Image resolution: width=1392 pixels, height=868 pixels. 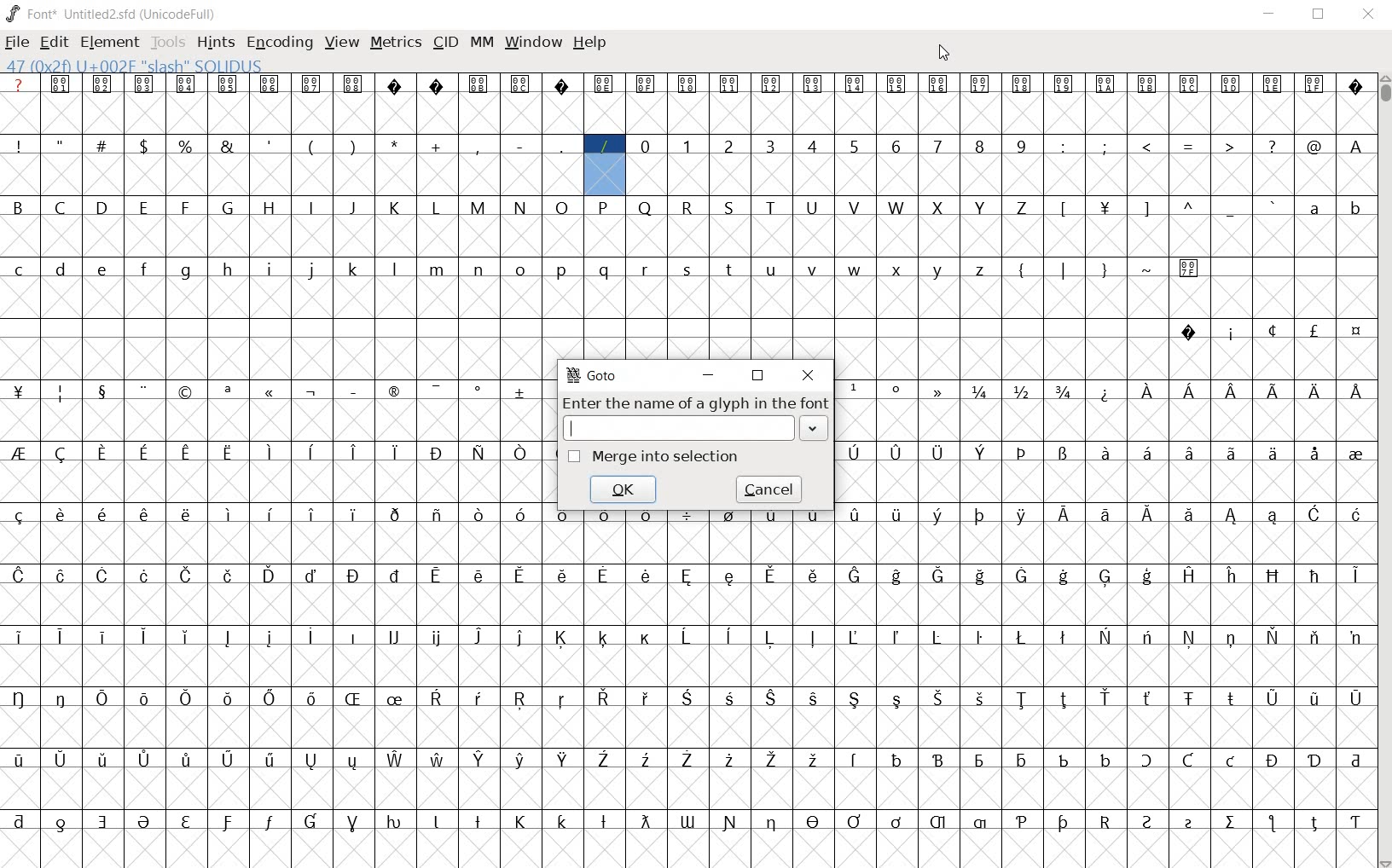 I want to click on glyph, so click(x=1022, y=84).